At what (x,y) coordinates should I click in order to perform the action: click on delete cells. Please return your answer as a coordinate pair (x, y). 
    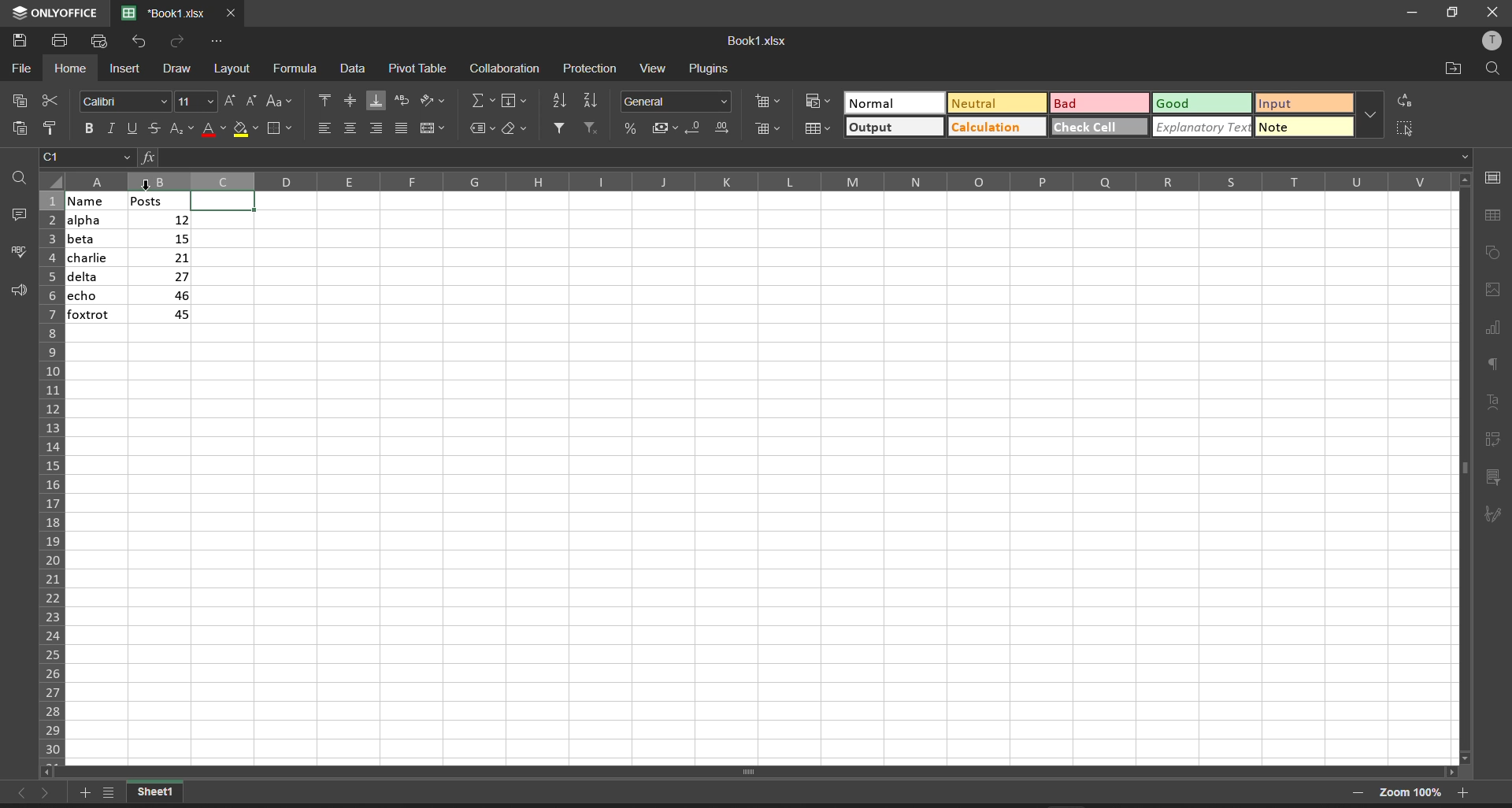
    Looking at the image, I should click on (770, 129).